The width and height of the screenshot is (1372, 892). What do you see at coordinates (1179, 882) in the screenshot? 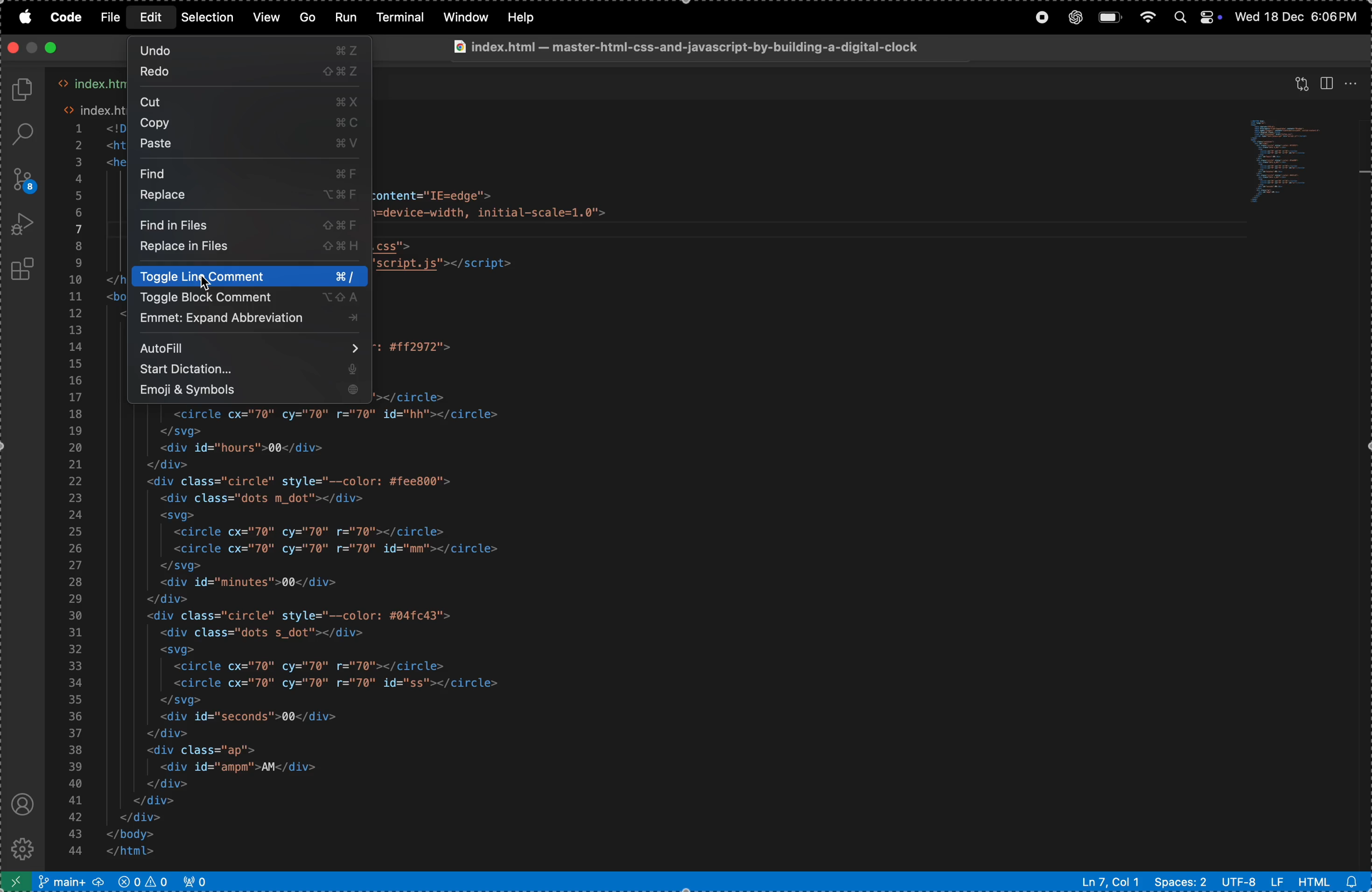
I see `spaces 2` at bounding box center [1179, 882].